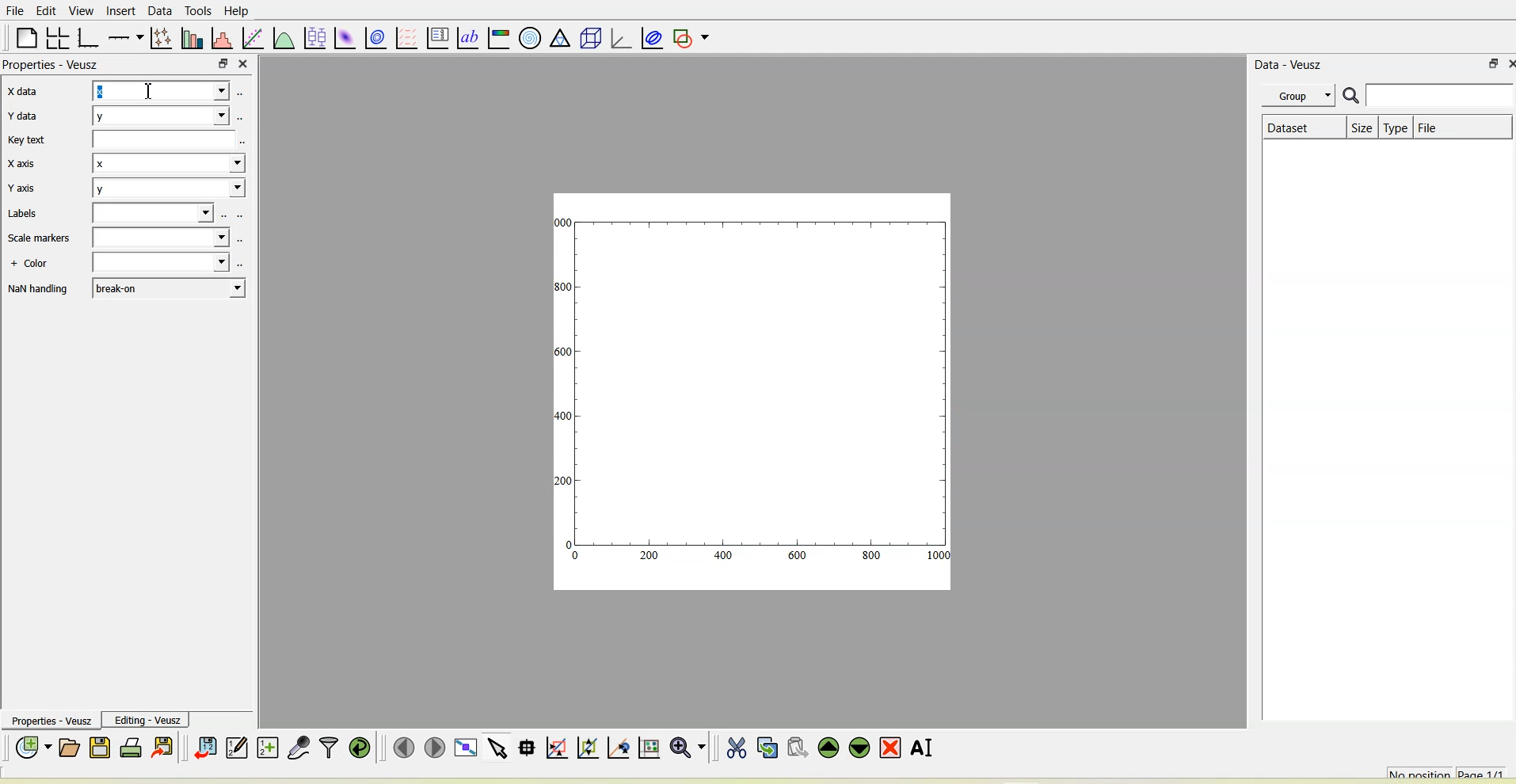 The width and height of the screenshot is (1516, 784). Describe the element at coordinates (167, 287) in the screenshot. I see `break-on ` at that location.